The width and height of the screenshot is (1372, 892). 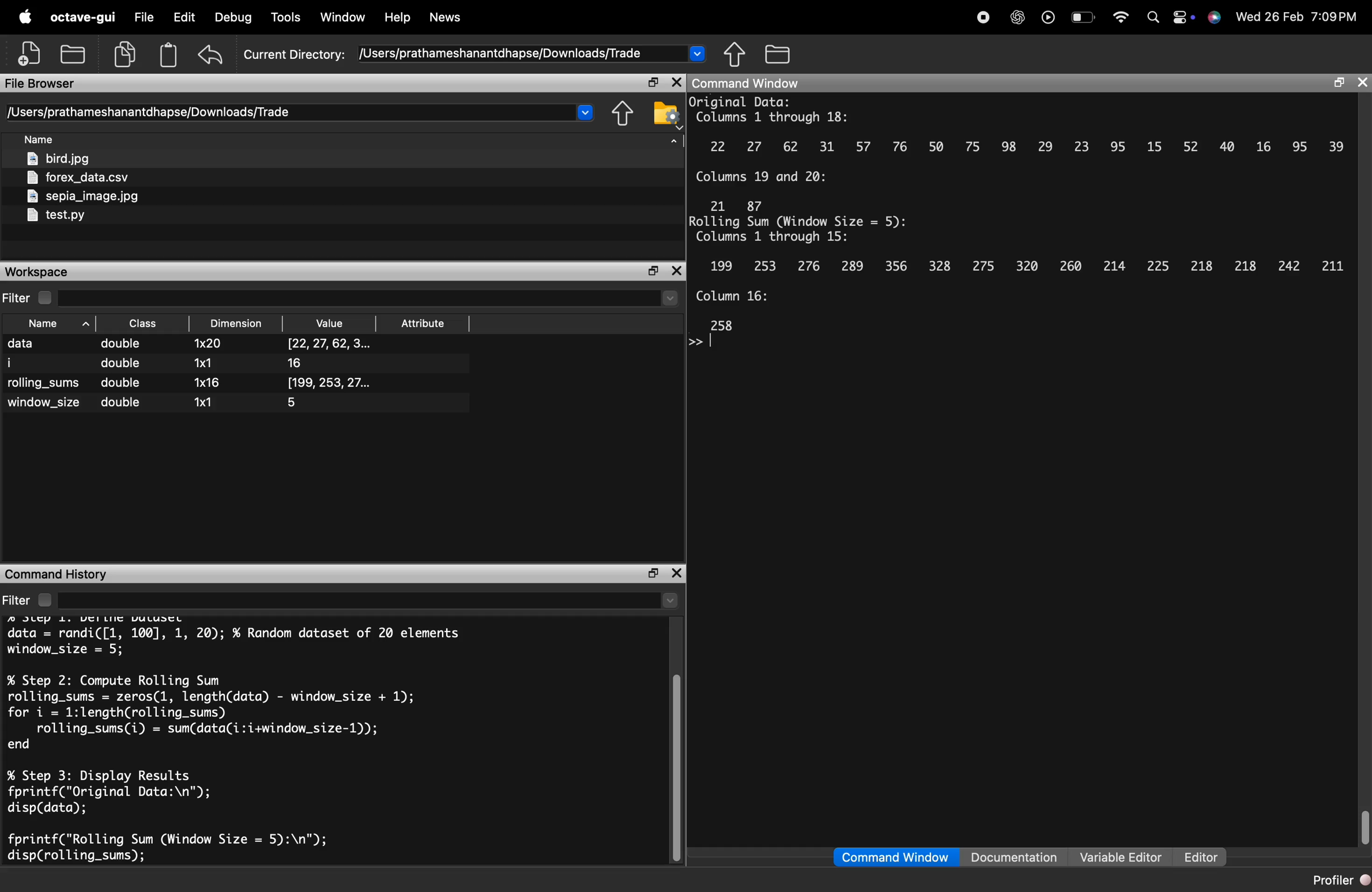 What do you see at coordinates (1363, 826) in the screenshot?
I see `vertical scrollbar` at bounding box center [1363, 826].